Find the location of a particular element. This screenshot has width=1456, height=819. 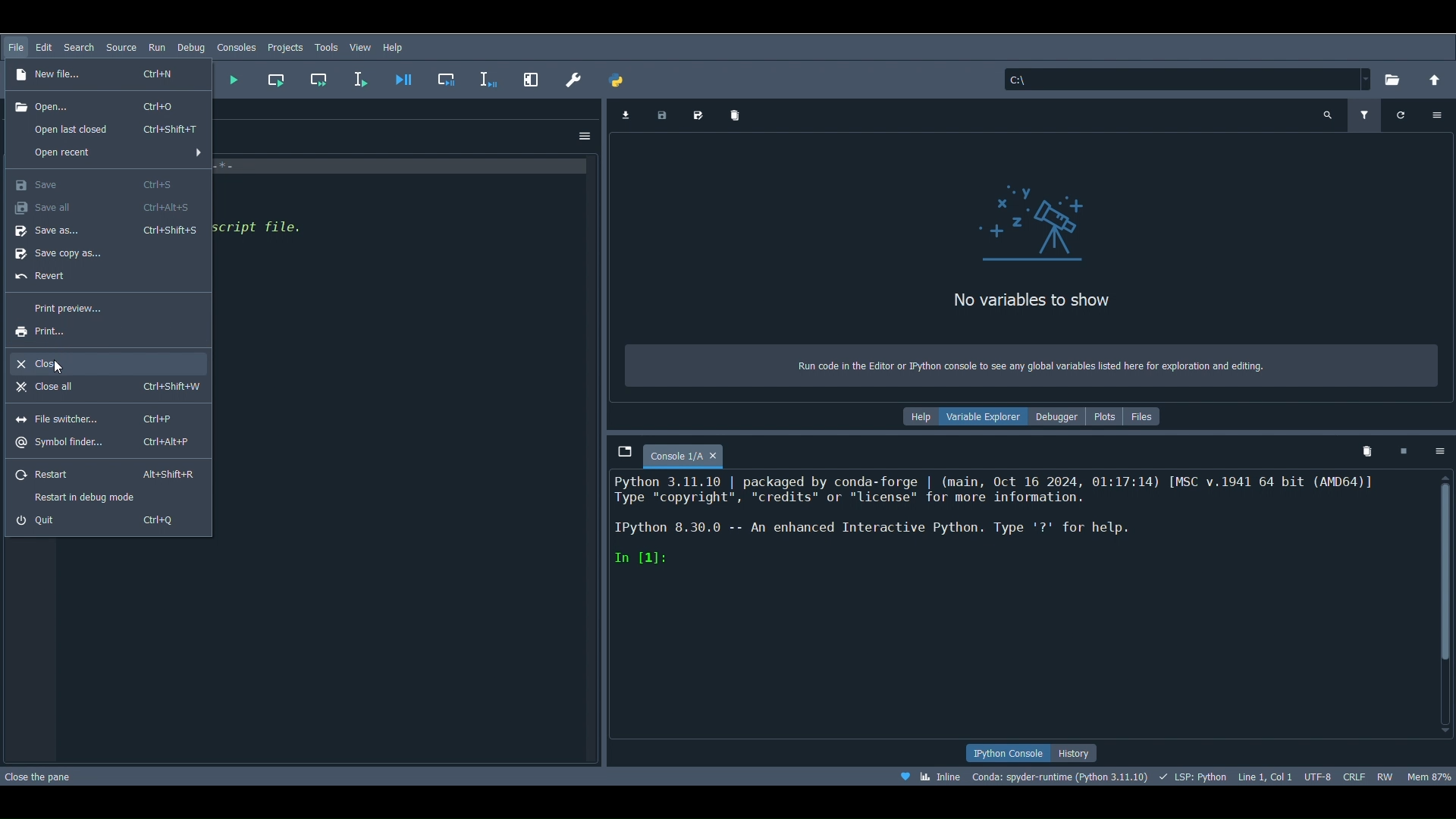

Remove all variables is located at coordinates (739, 113).